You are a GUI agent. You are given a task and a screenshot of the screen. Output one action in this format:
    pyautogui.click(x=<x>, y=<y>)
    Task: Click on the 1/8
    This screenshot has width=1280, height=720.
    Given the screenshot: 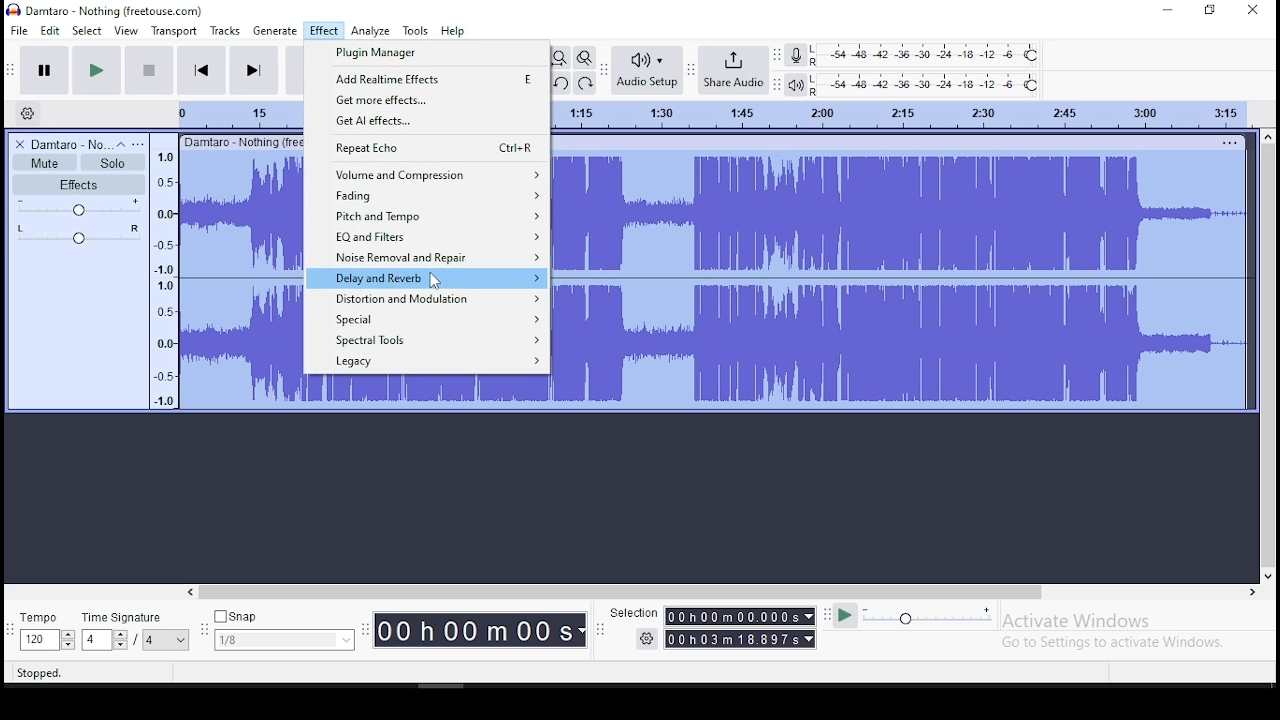 What is the action you would take?
    pyautogui.click(x=270, y=640)
    